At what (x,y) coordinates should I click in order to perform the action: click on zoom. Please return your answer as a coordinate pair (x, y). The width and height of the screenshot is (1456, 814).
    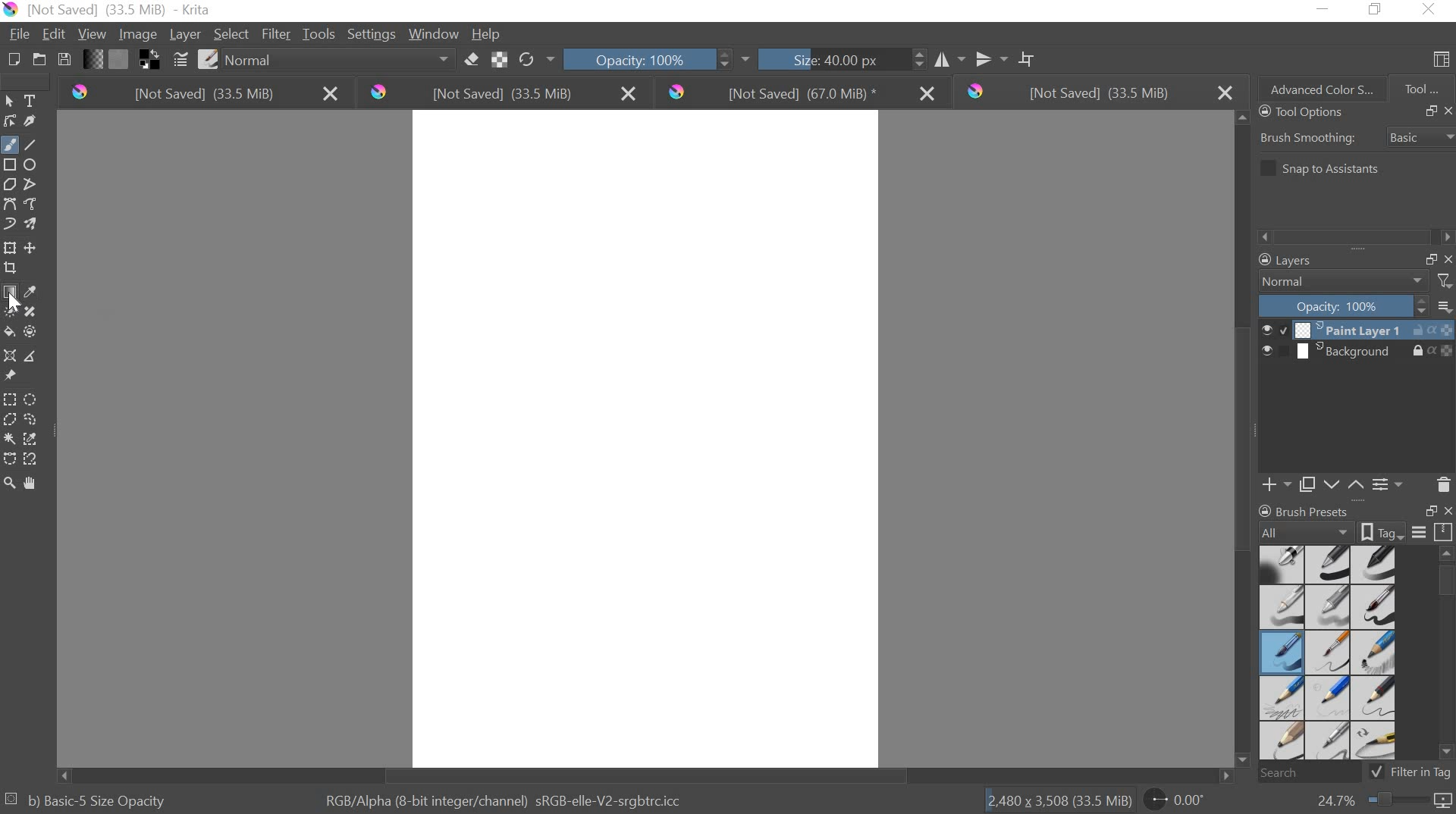
    Looking at the image, I should click on (9, 480).